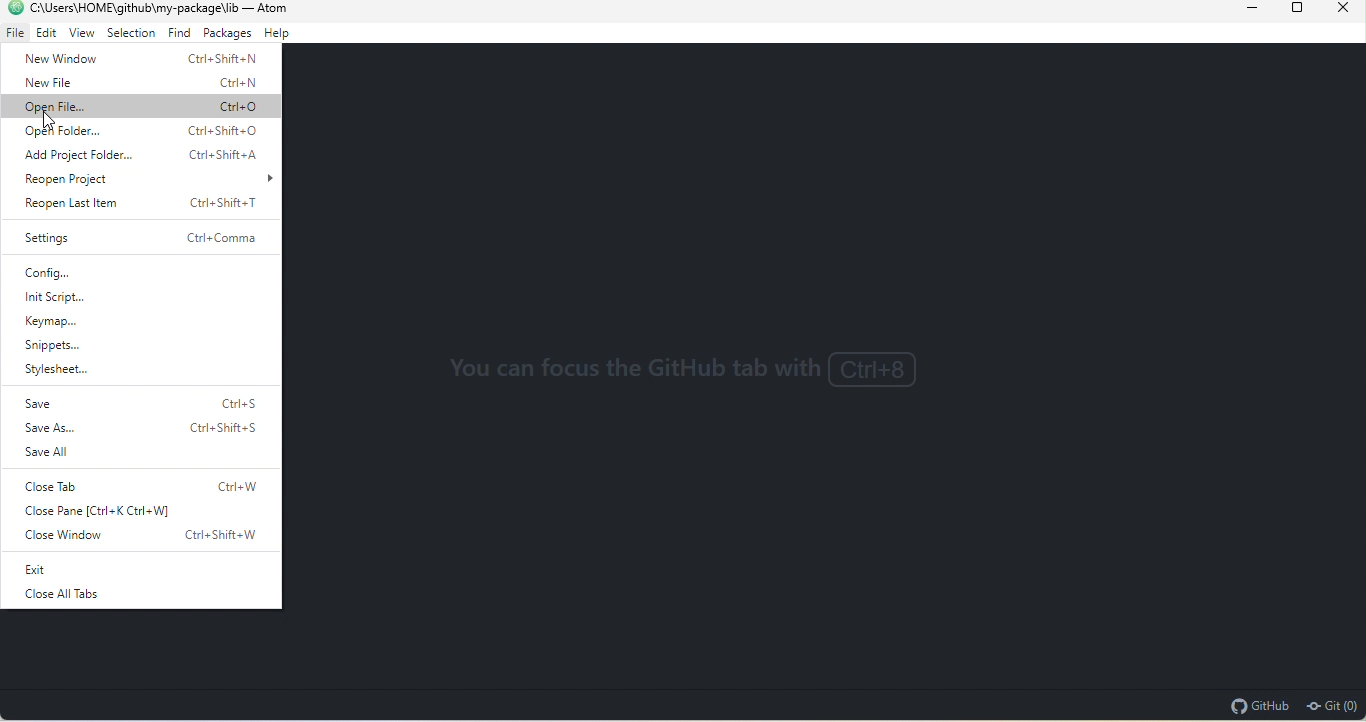 The height and width of the screenshot is (722, 1366). What do you see at coordinates (59, 597) in the screenshot?
I see `close all tabs` at bounding box center [59, 597].